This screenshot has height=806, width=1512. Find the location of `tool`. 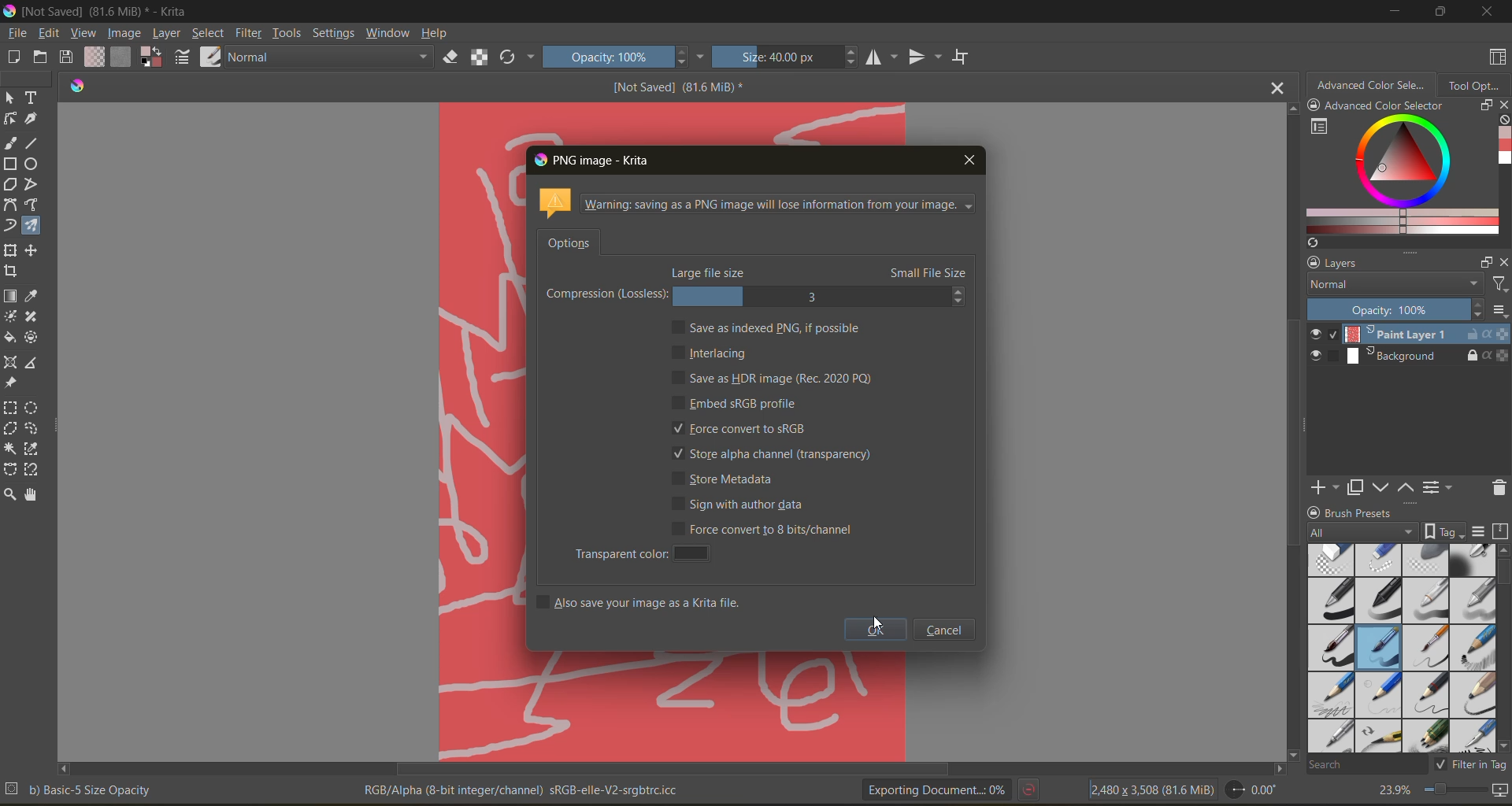

tool is located at coordinates (33, 183).